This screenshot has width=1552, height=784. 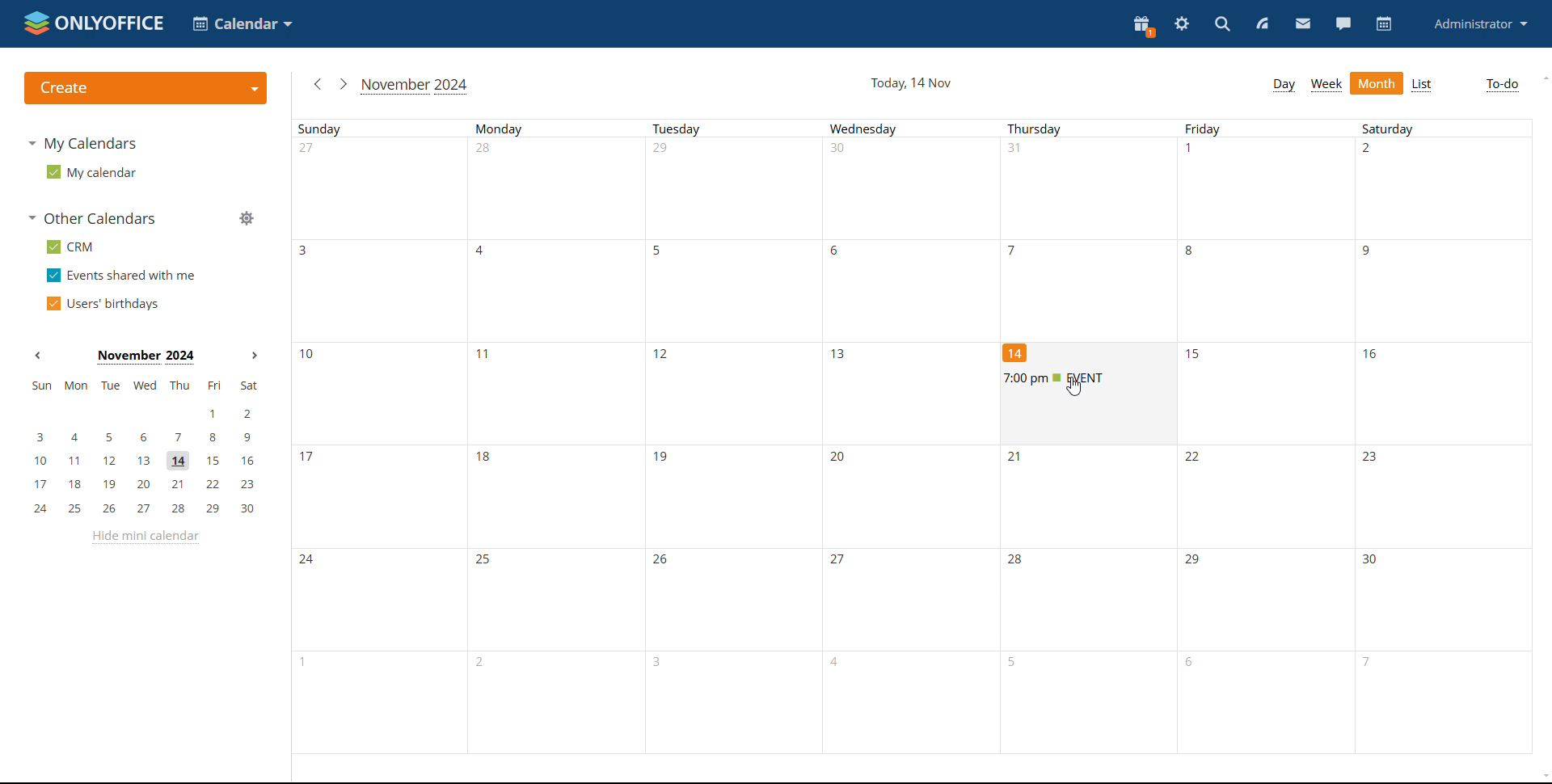 What do you see at coordinates (342, 83) in the screenshot?
I see `next month` at bounding box center [342, 83].